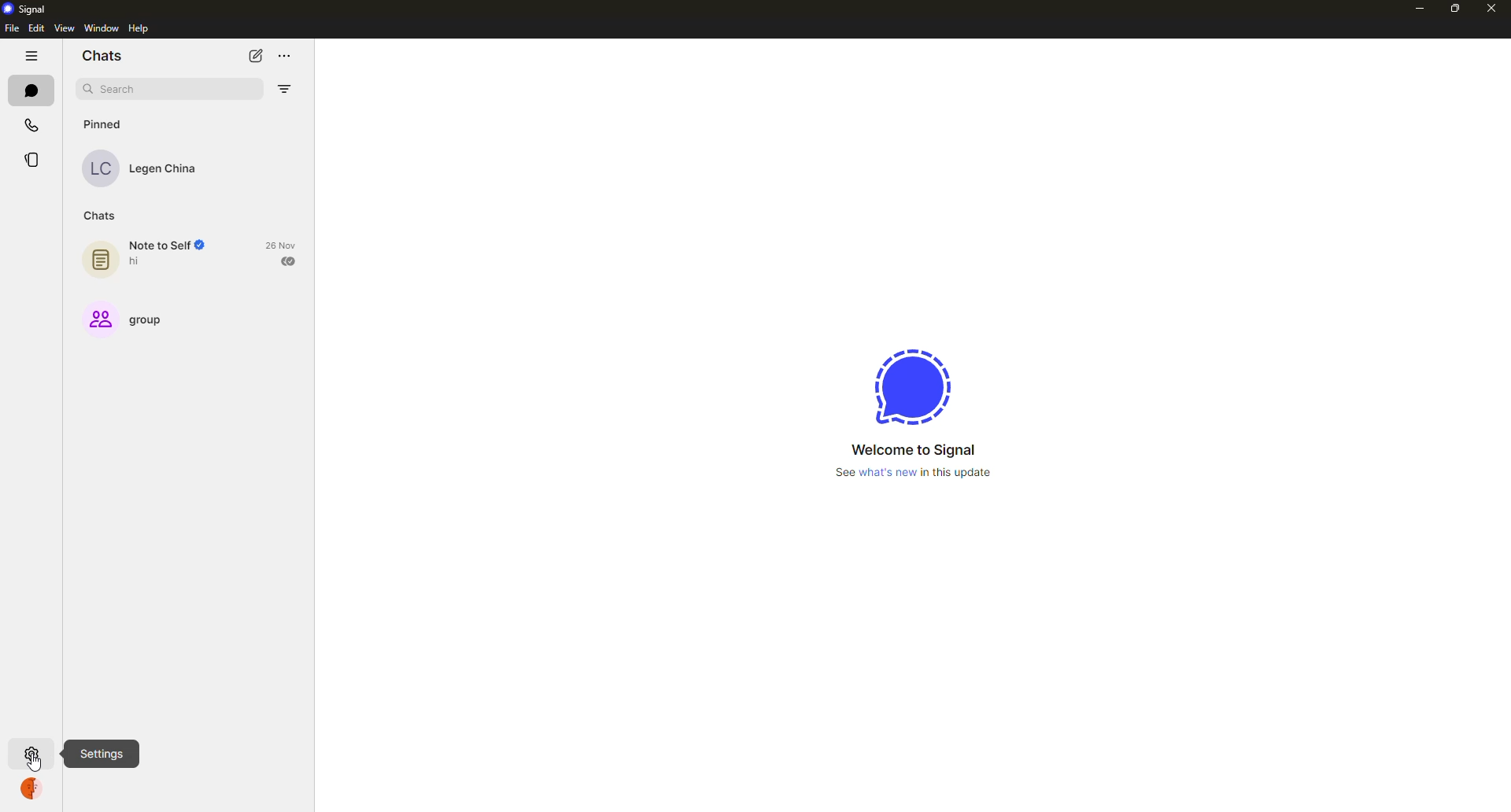 The width and height of the screenshot is (1511, 812). What do you see at coordinates (290, 262) in the screenshot?
I see `sent` at bounding box center [290, 262].